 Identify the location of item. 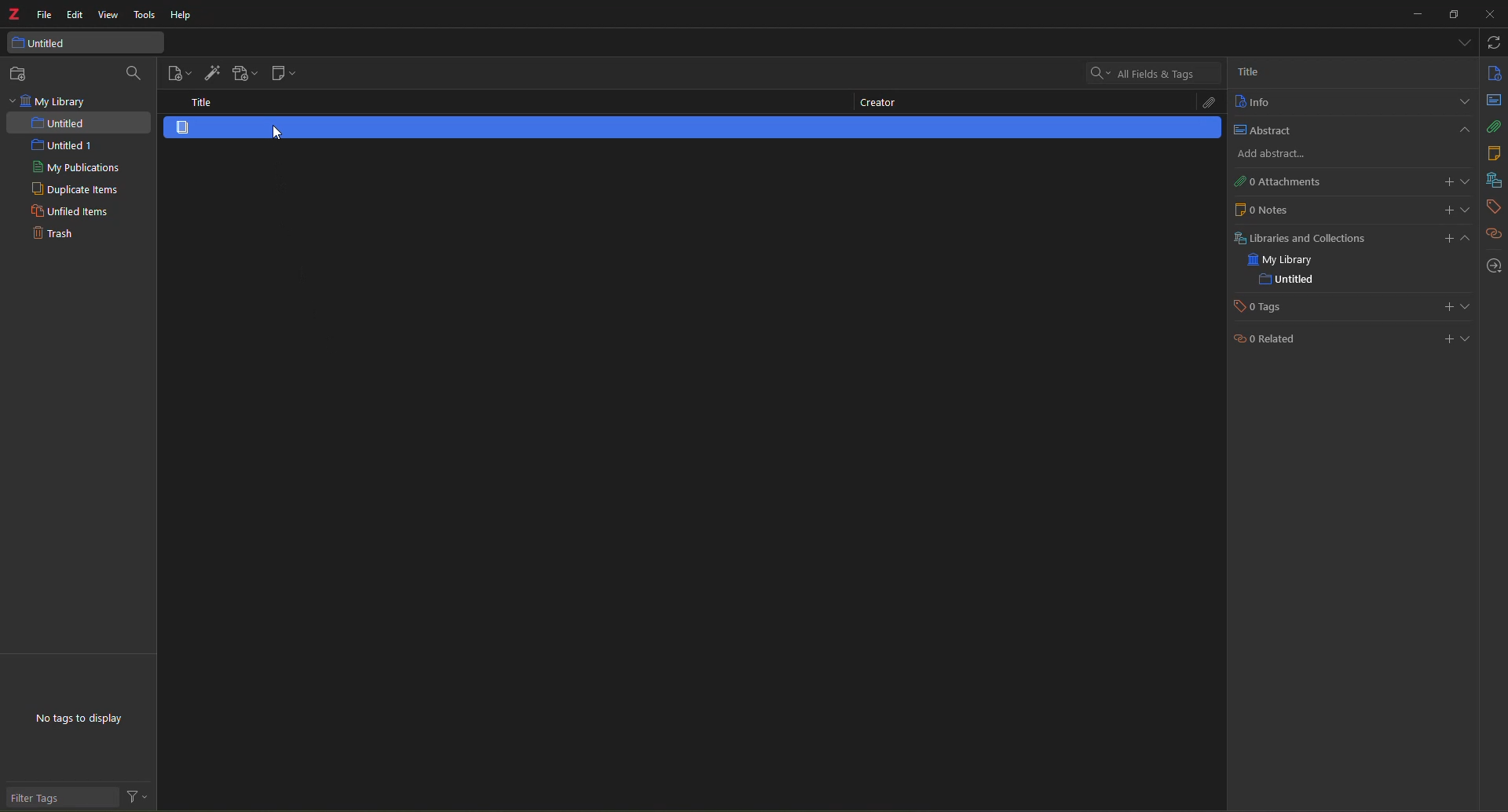
(189, 128).